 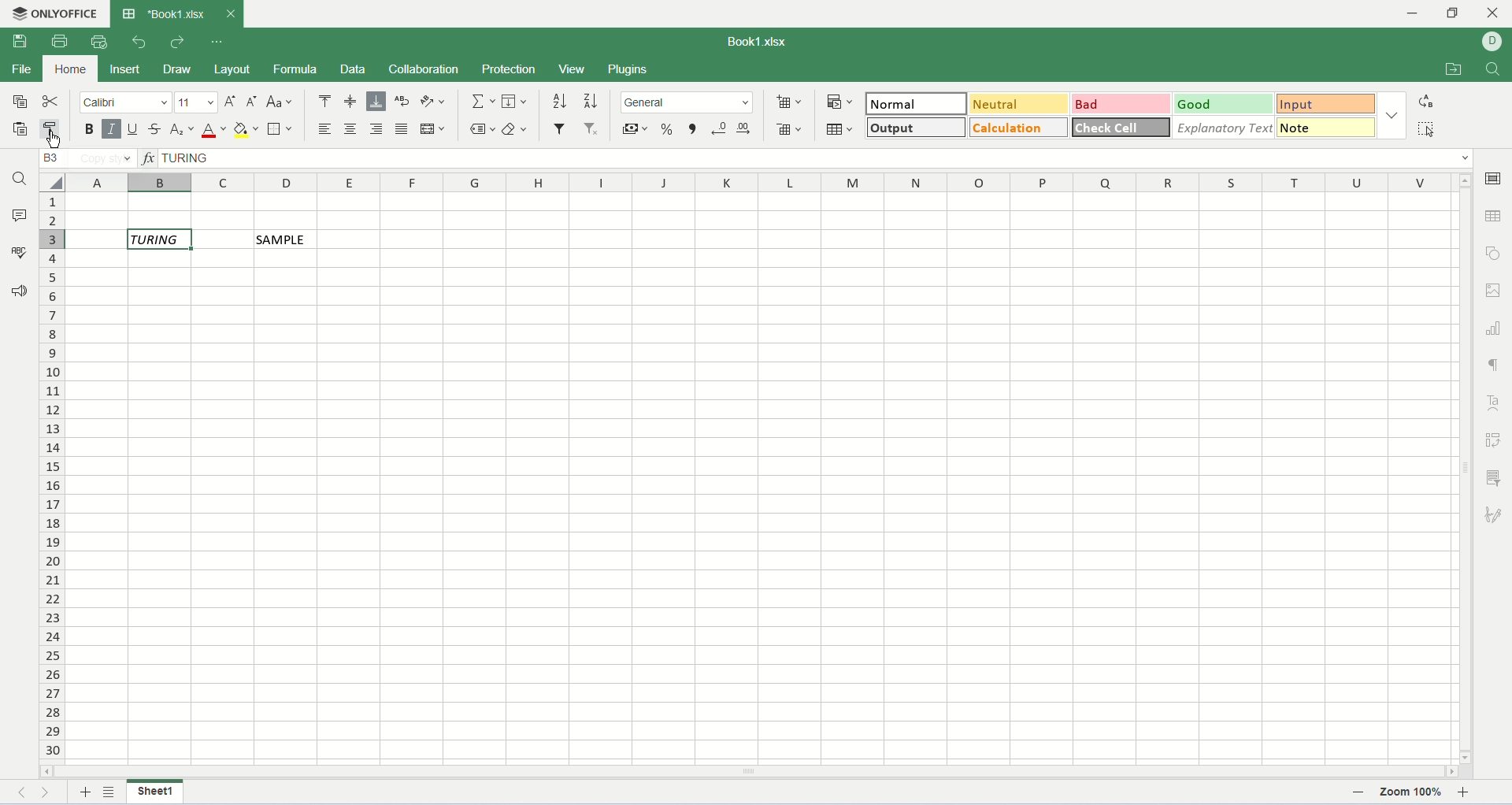 I want to click on minimize, so click(x=1420, y=13).